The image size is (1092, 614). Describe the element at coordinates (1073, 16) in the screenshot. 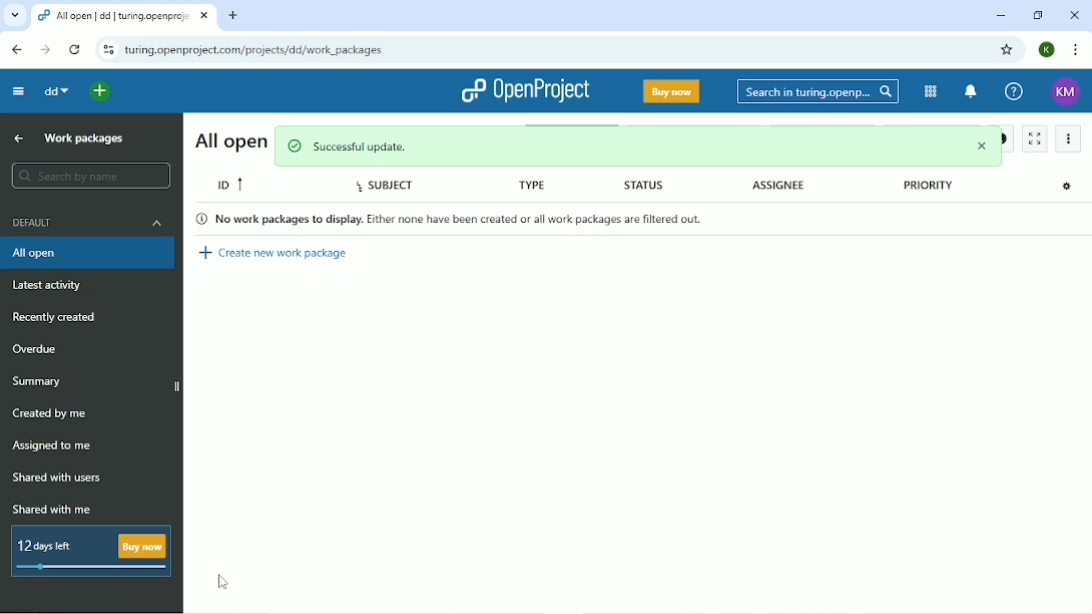

I see `Close` at that location.